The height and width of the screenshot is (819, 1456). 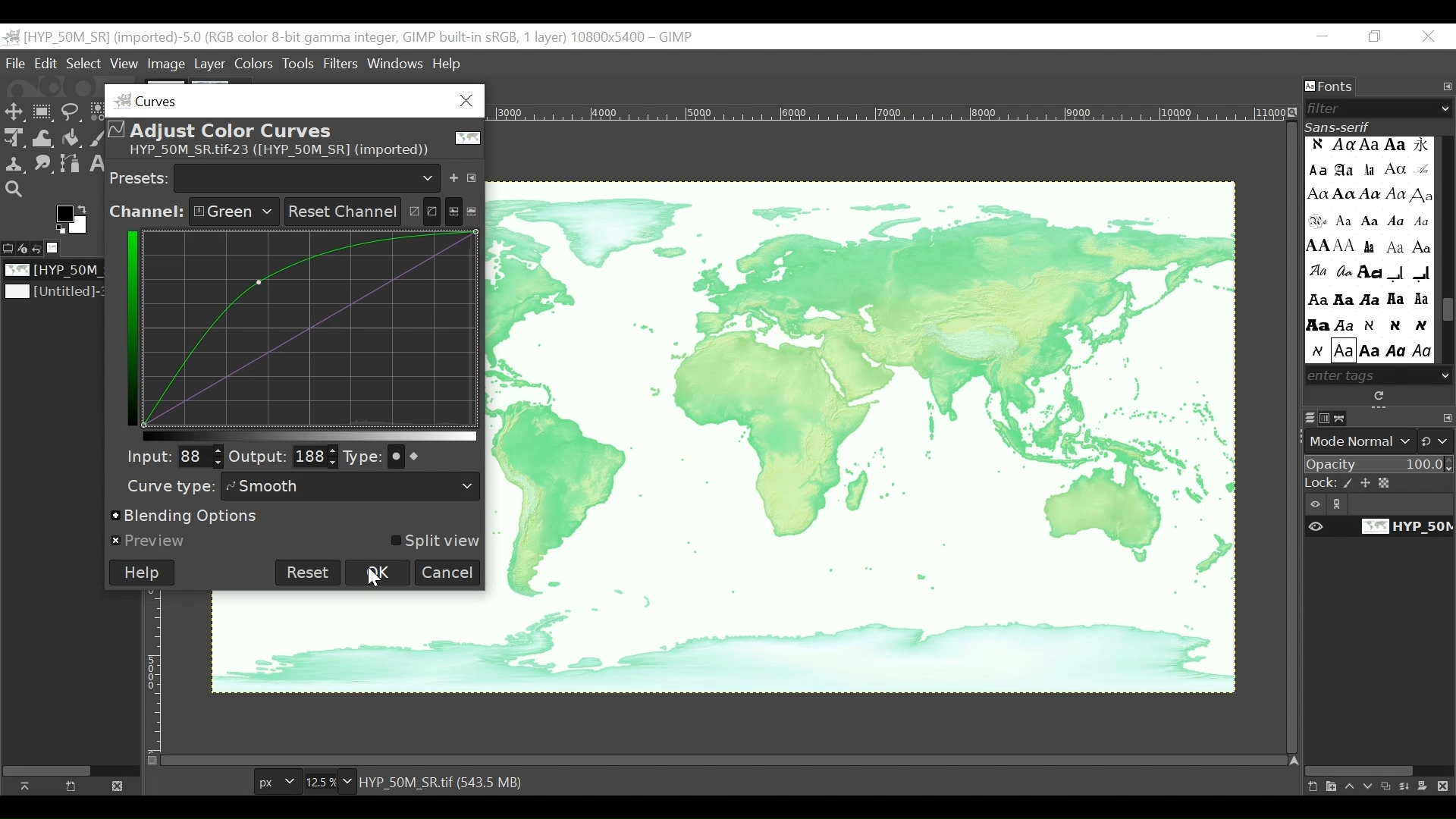 What do you see at coordinates (1379, 466) in the screenshot?
I see `Opacity` at bounding box center [1379, 466].